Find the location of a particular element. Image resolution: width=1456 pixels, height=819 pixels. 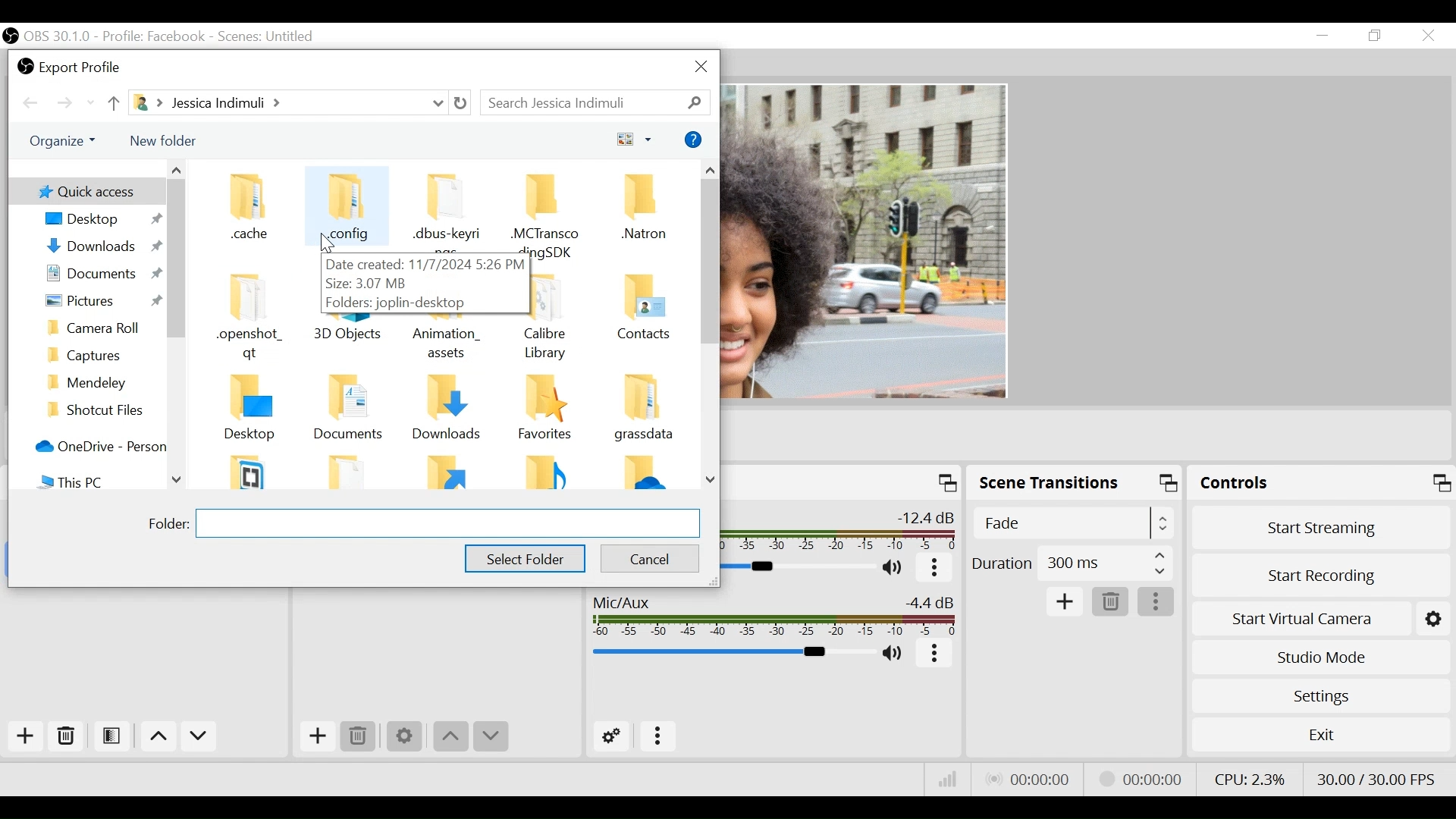

Date Modified, Size and Folder: File tooltip is located at coordinates (425, 285).